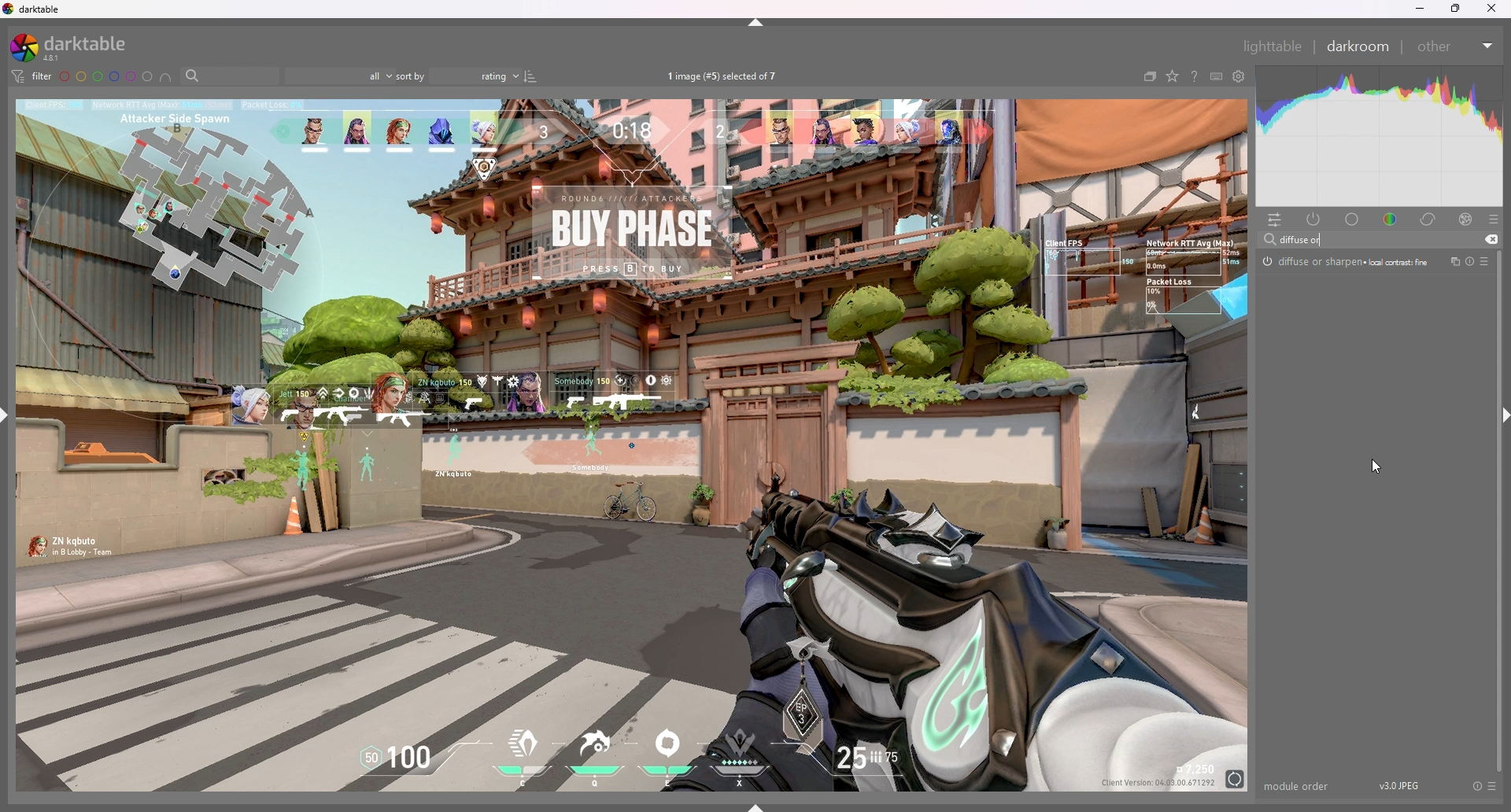  I want to click on scroll bar, so click(1498, 510).